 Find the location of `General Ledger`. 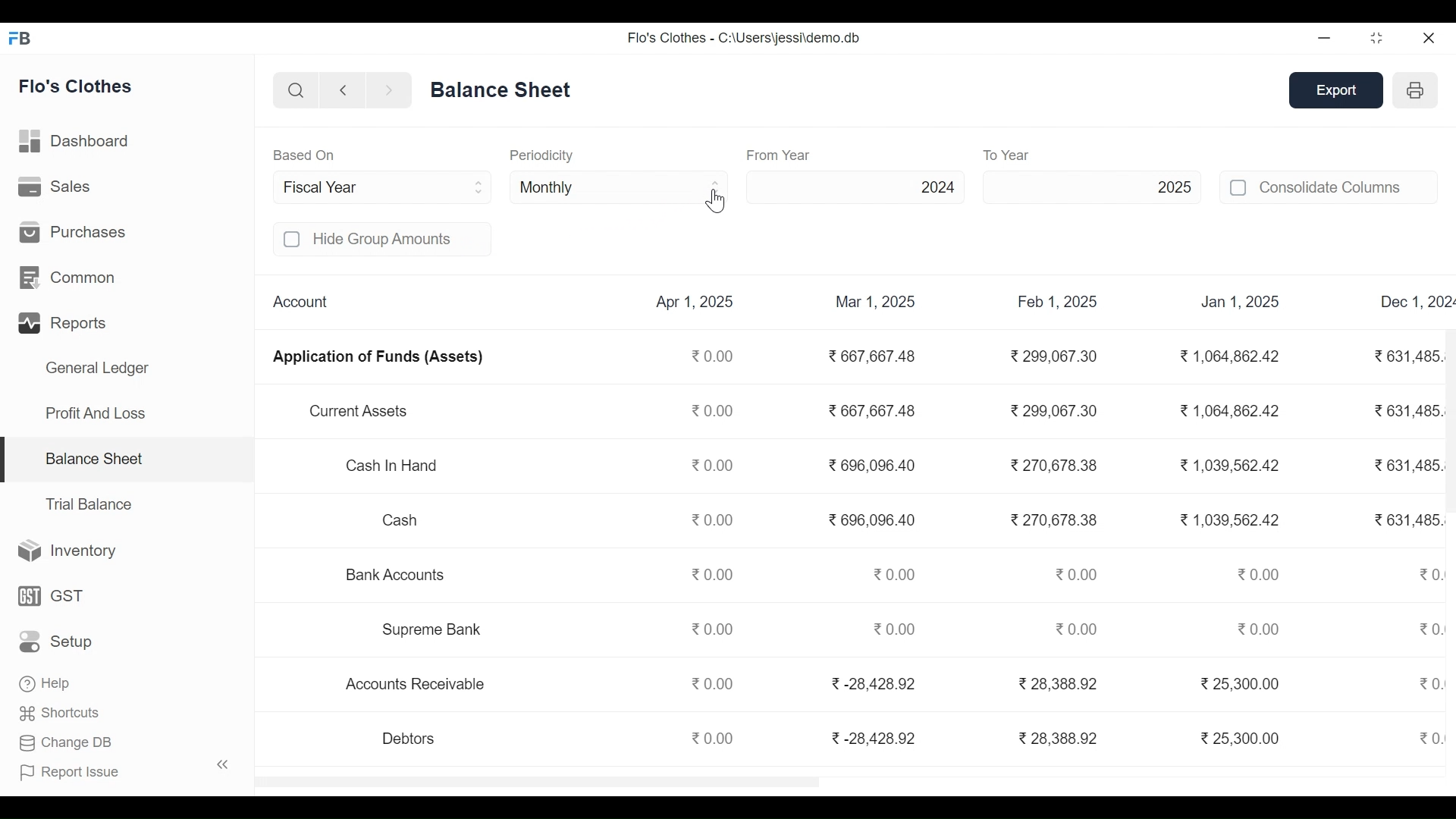

General Ledger is located at coordinates (97, 370).